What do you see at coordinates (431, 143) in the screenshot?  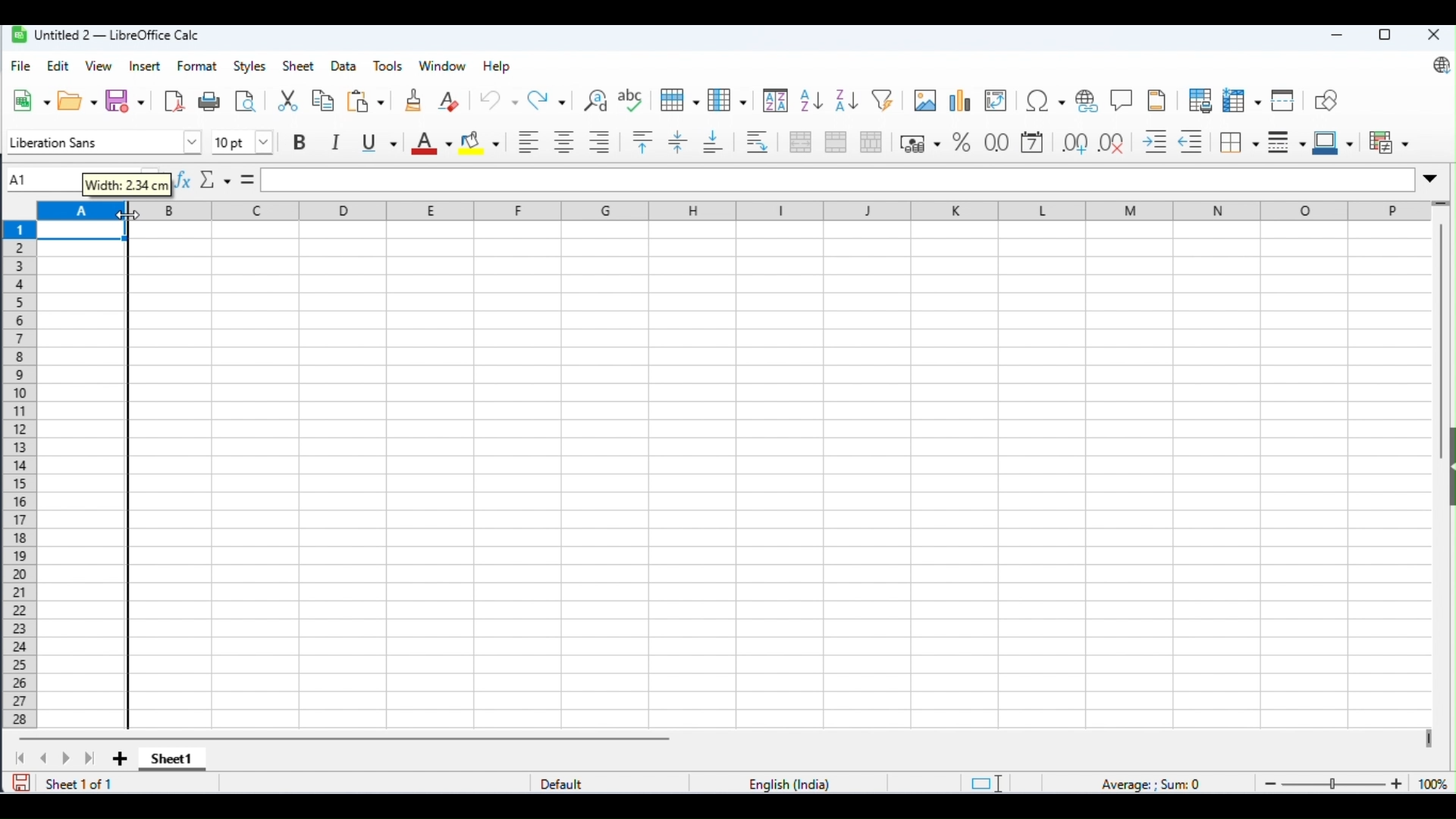 I see `font color` at bounding box center [431, 143].